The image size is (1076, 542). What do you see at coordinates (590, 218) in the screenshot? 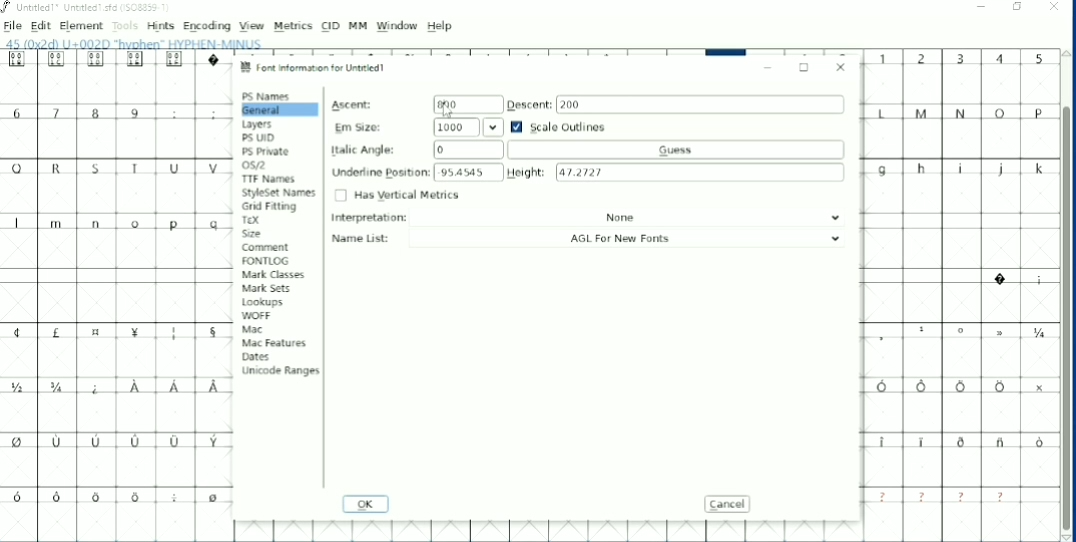
I see `Interpretation` at bounding box center [590, 218].